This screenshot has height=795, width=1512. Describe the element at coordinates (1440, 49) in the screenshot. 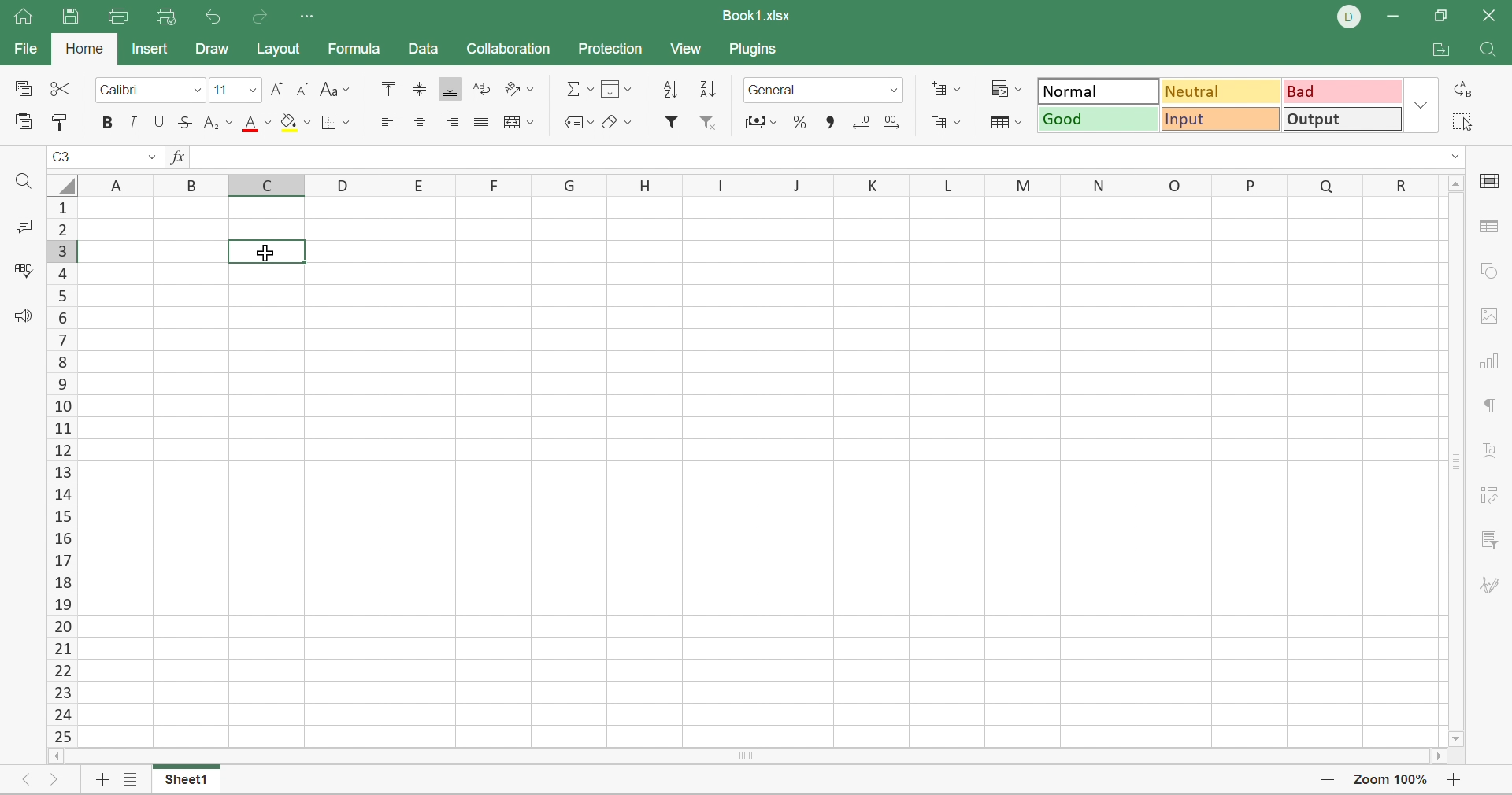

I see `Open file location` at that location.